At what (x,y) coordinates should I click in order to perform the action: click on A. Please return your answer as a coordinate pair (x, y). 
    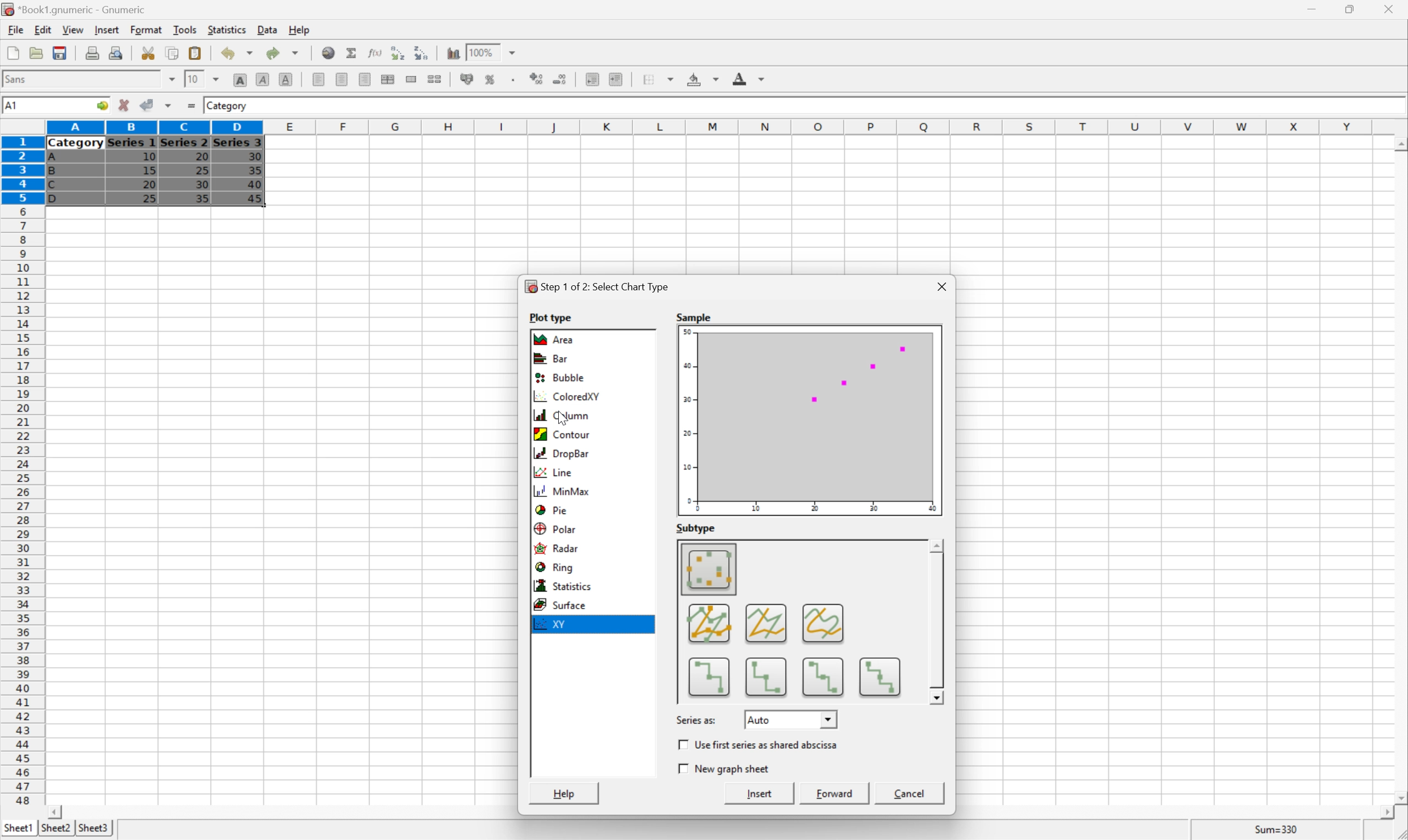
    Looking at the image, I should click on (54, 158).